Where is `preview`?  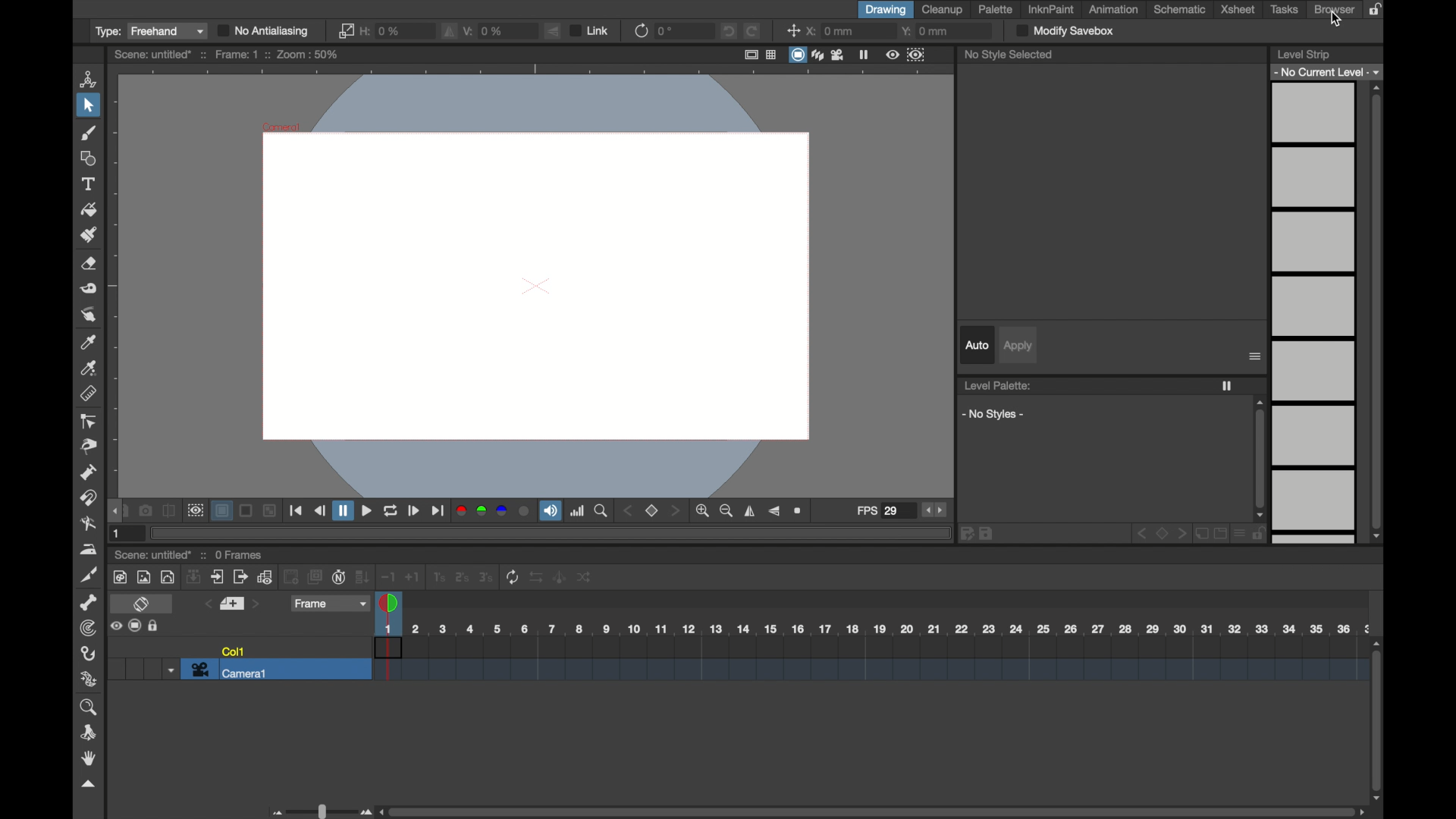
preview is located at coordinates (904, 54).